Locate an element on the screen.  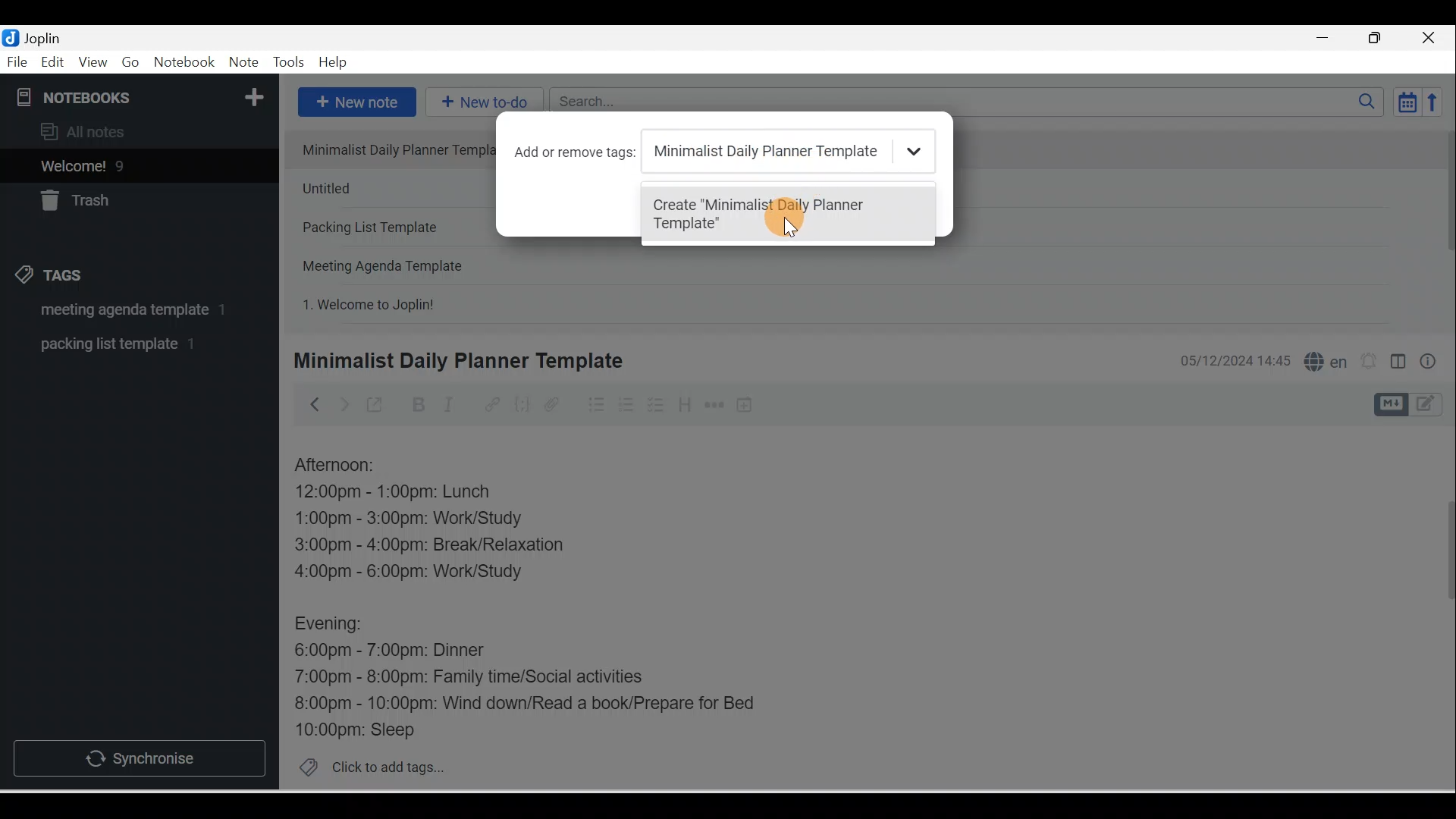
Note is located at coordinates (242, 63).